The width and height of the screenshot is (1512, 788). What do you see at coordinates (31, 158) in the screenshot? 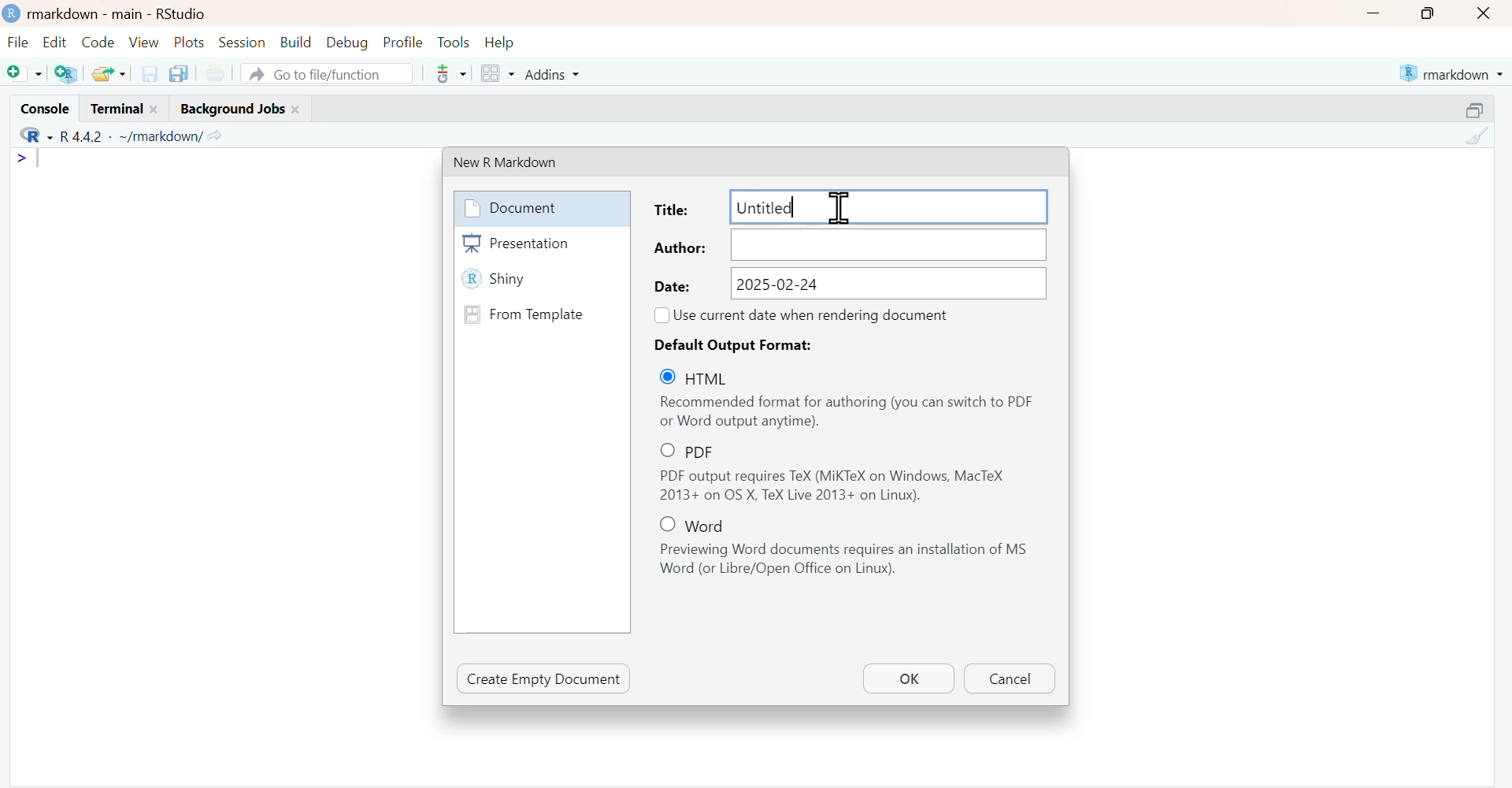
I see `line 1` at bounding box center [31, 158].